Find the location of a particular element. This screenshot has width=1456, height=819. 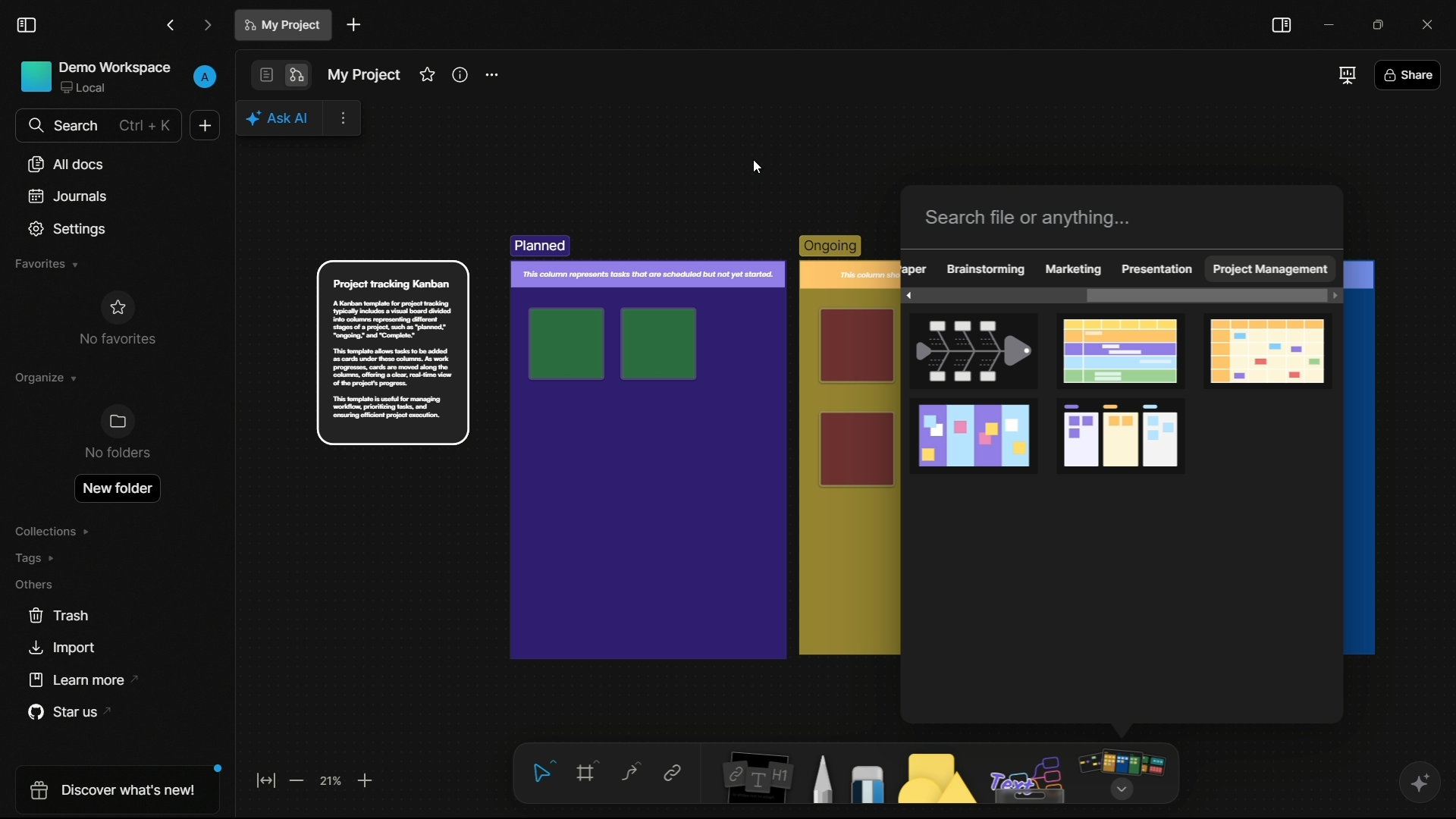

zoom factor is located at coordinates (331, 780).